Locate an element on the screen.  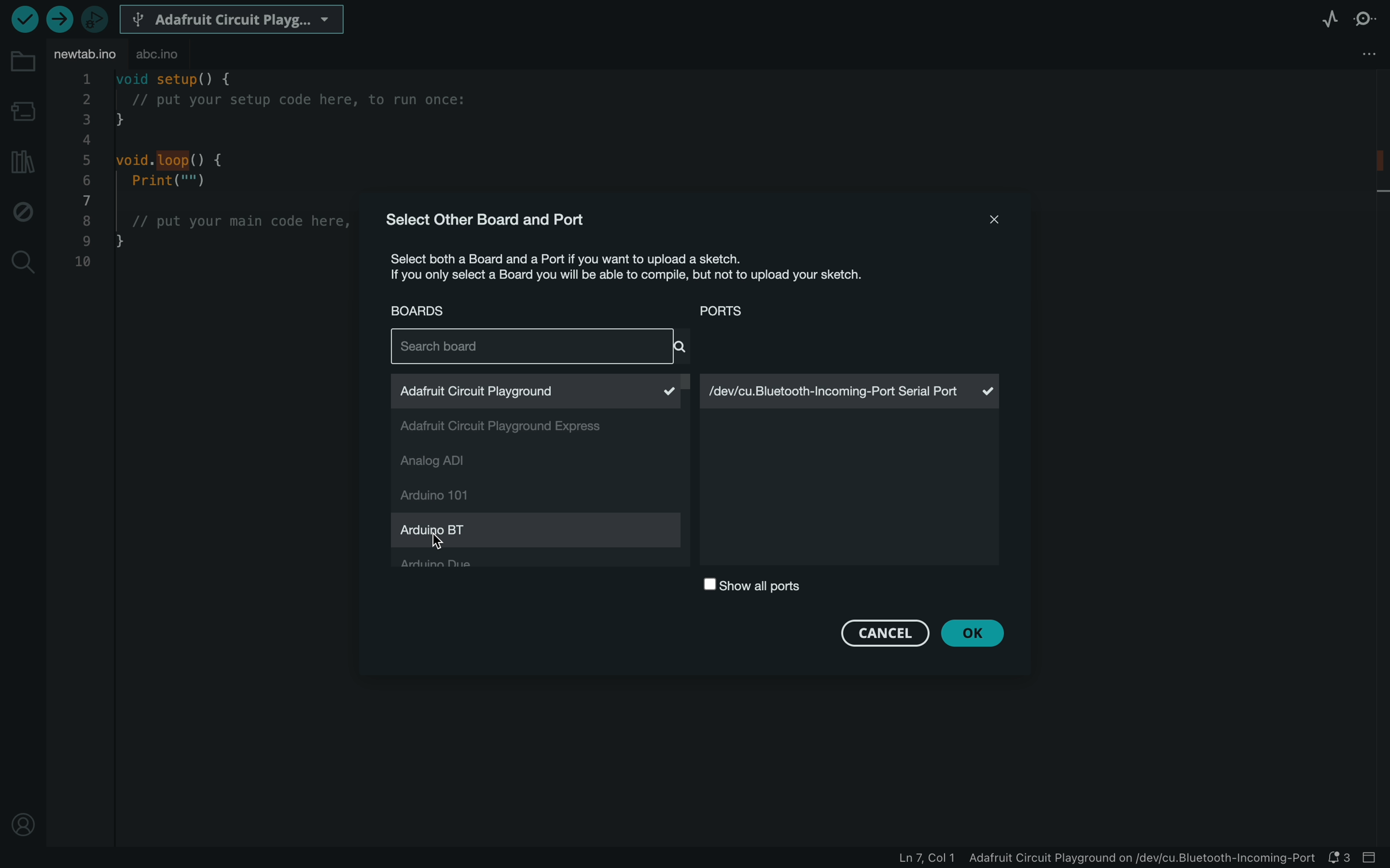
abc is located at coordinates (159, 55).